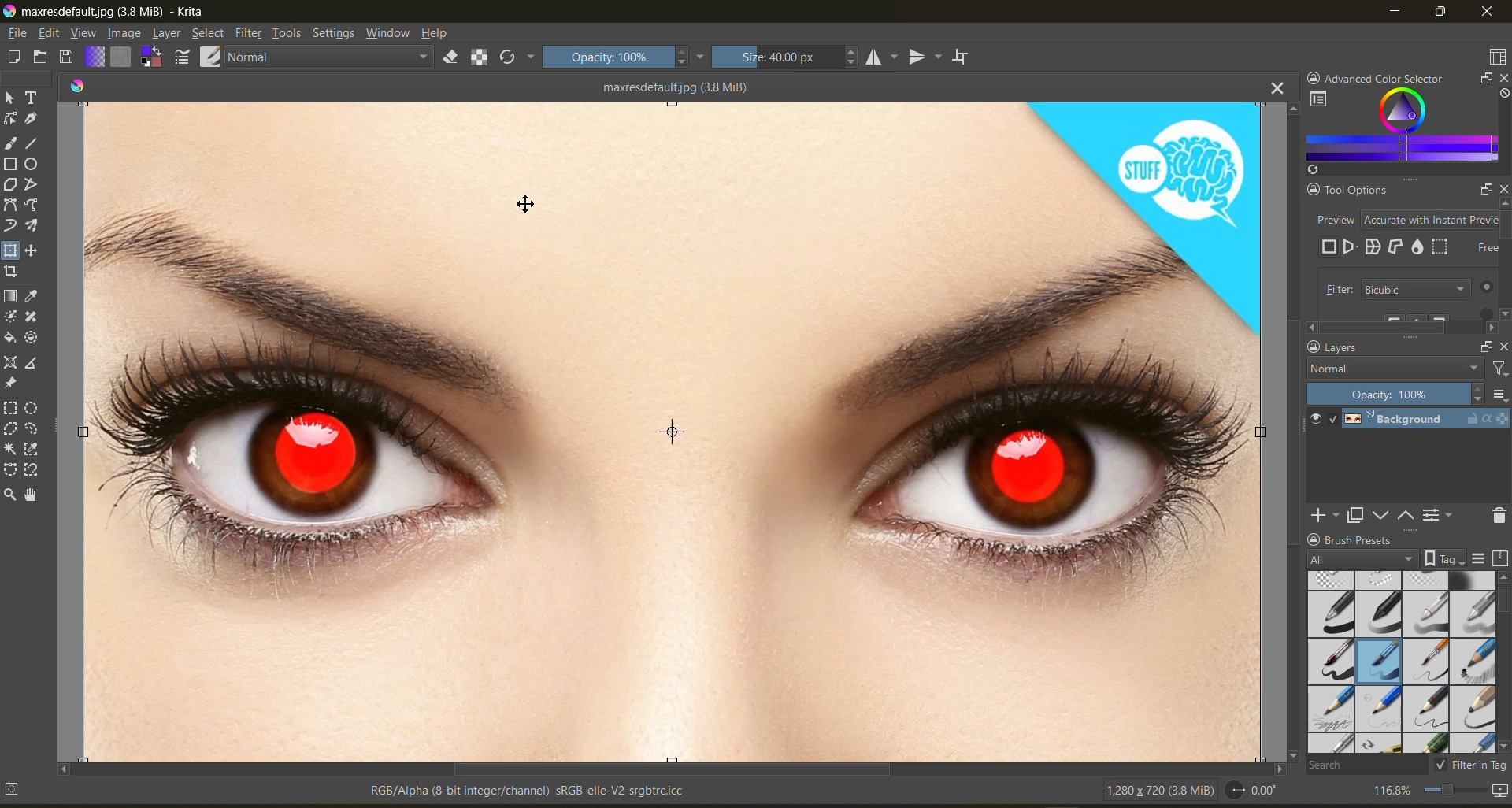  I want to click on tool, so click(31, 120).